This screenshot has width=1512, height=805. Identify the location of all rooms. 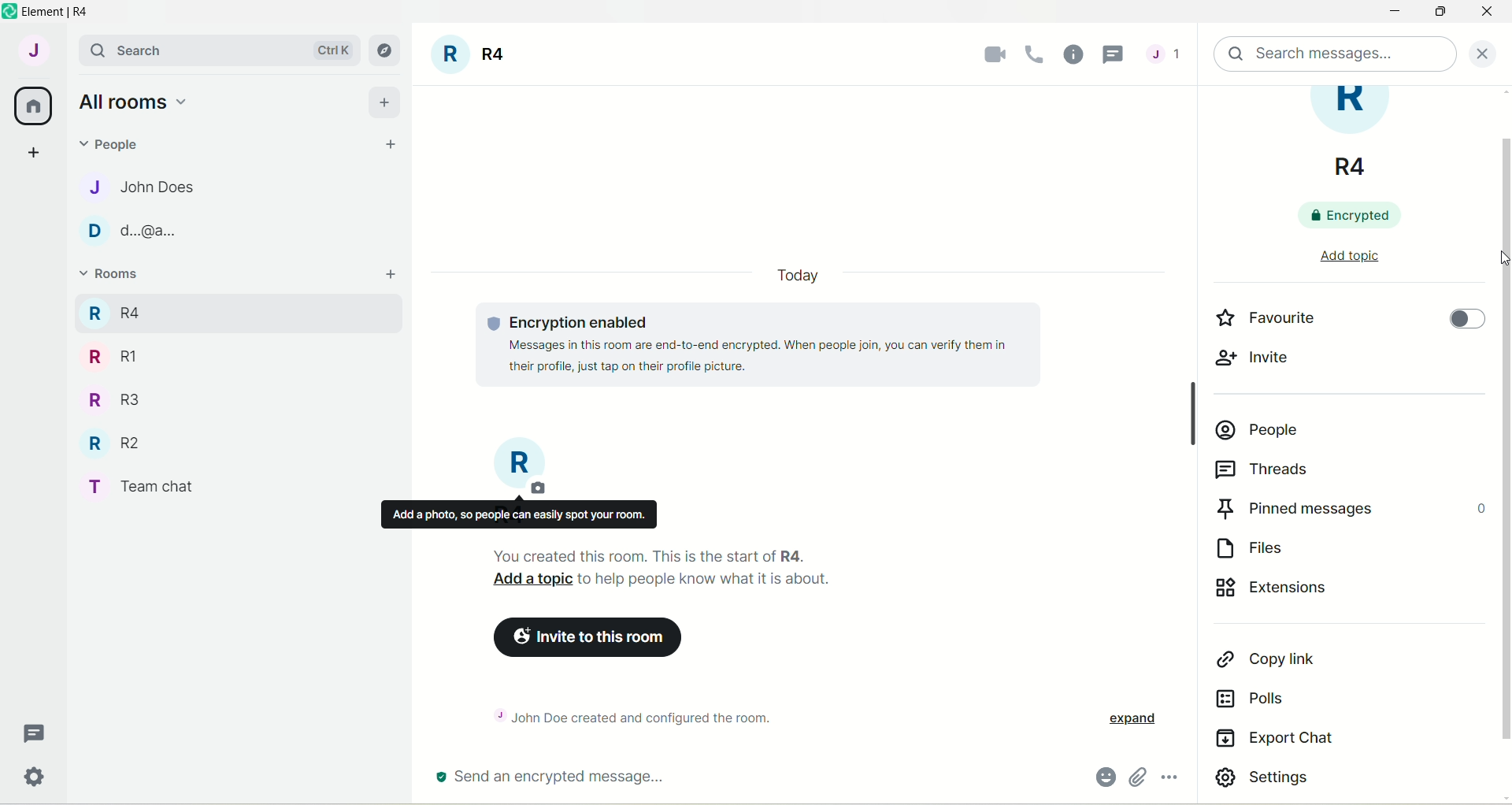
(132, 101).